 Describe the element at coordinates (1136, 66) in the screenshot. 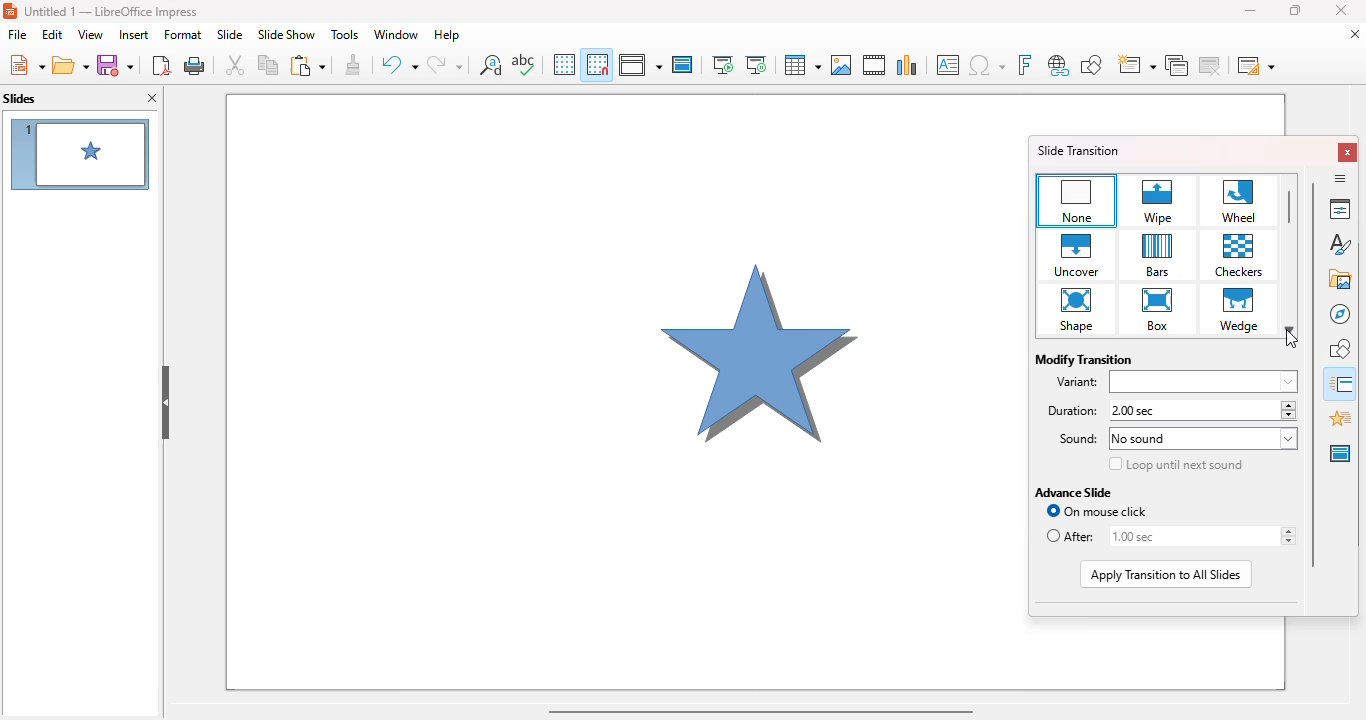

I see `new slide` at that location.